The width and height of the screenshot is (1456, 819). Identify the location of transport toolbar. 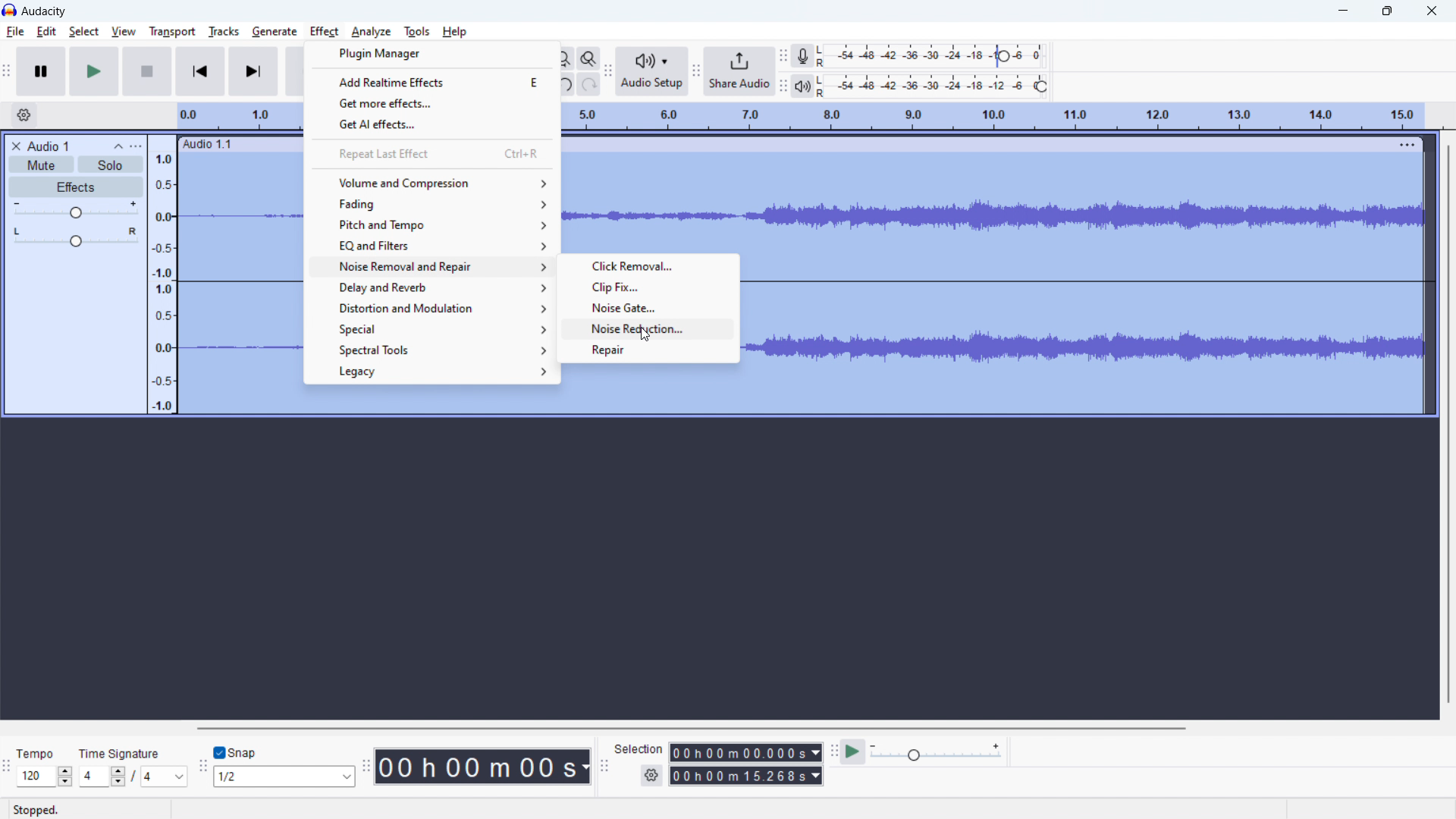
(8, 70).